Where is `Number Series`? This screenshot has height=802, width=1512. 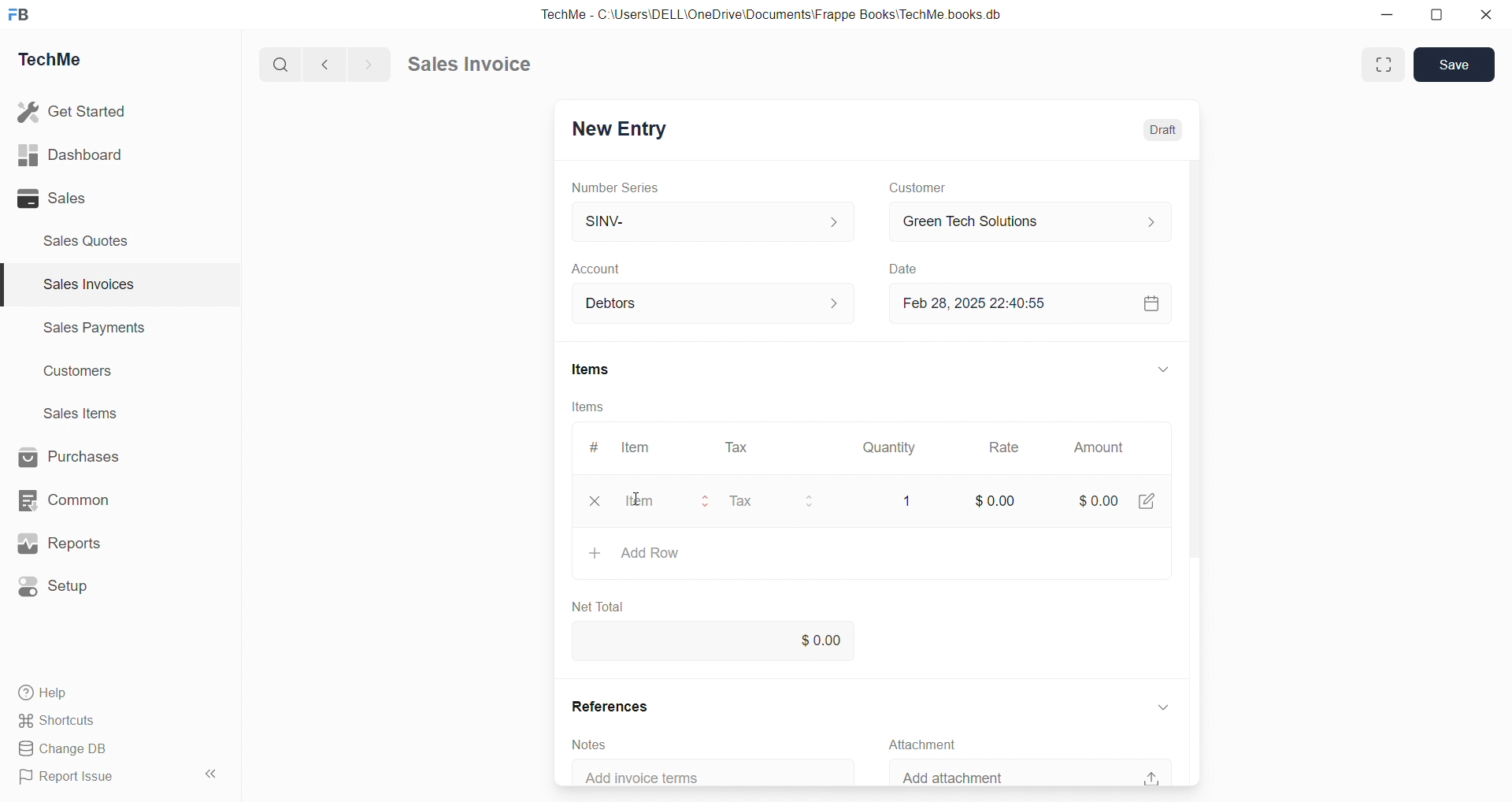
Number Series is located at coordinates (616, 188).